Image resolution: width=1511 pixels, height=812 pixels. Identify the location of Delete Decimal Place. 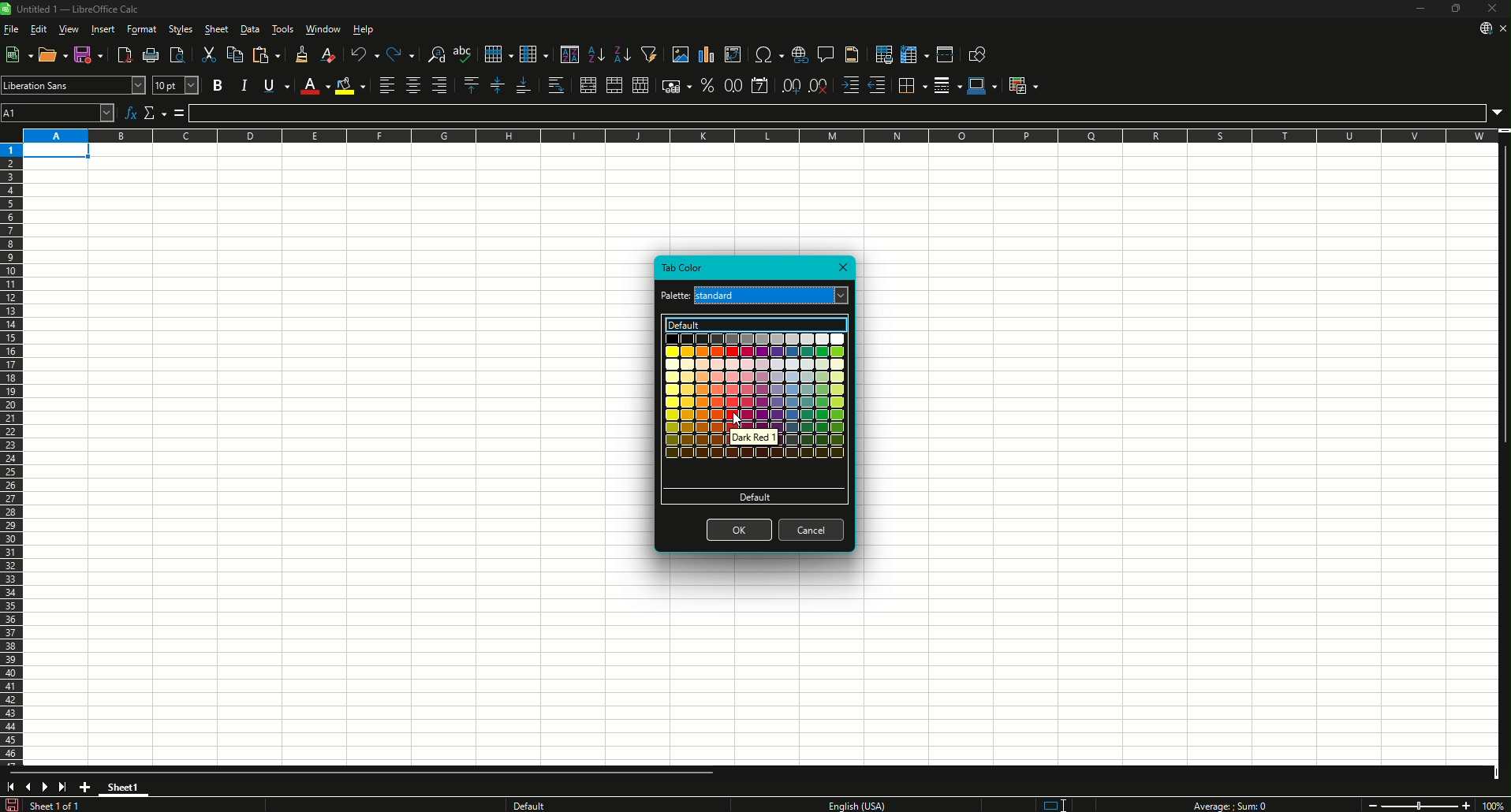
(819, 85).